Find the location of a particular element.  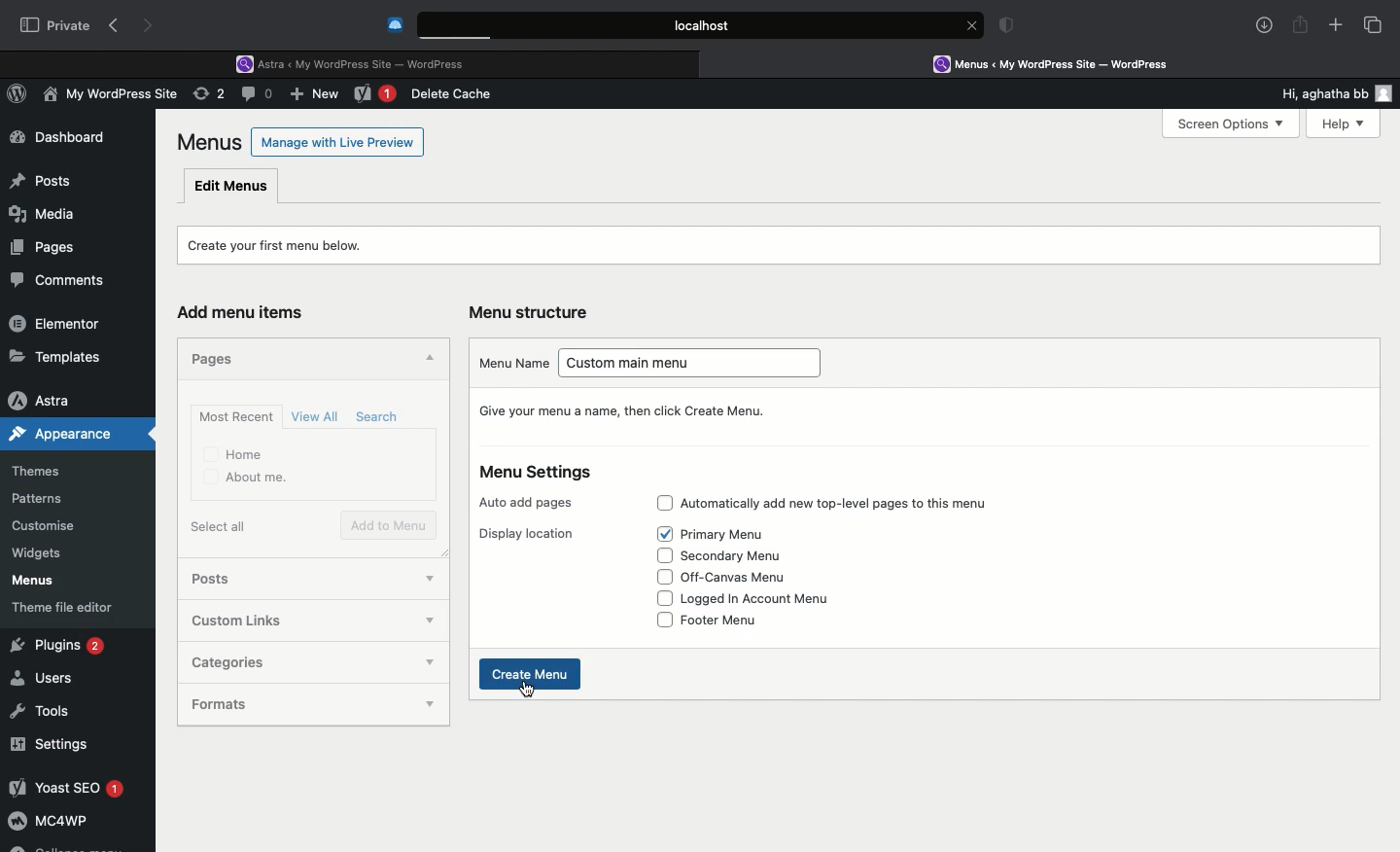

Media is located at coordinates (45, 211).